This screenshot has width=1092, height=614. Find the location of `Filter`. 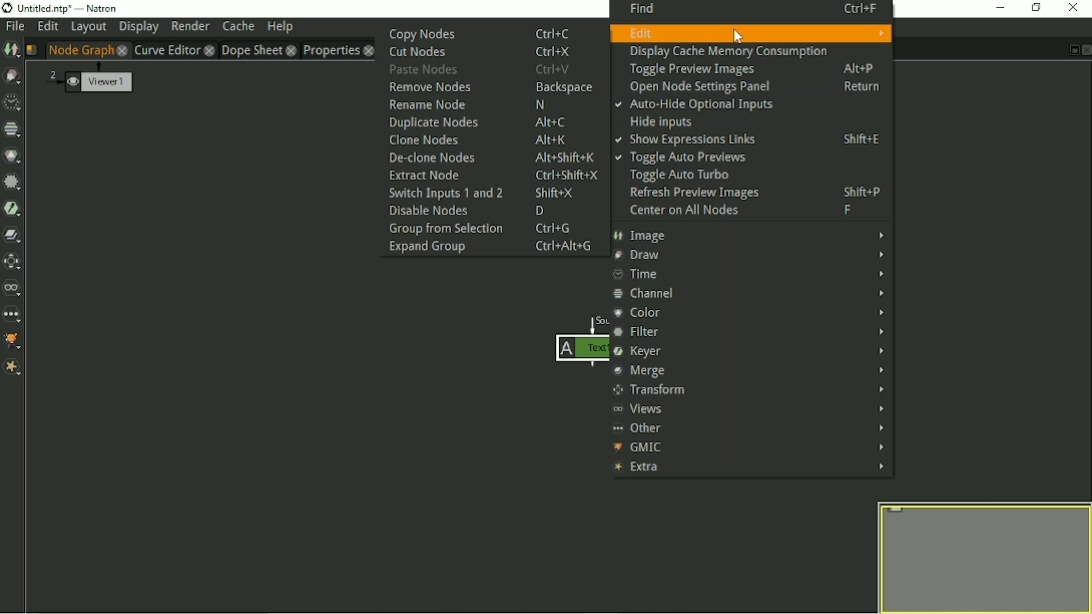

Filter is located at coordinates (752, 330).